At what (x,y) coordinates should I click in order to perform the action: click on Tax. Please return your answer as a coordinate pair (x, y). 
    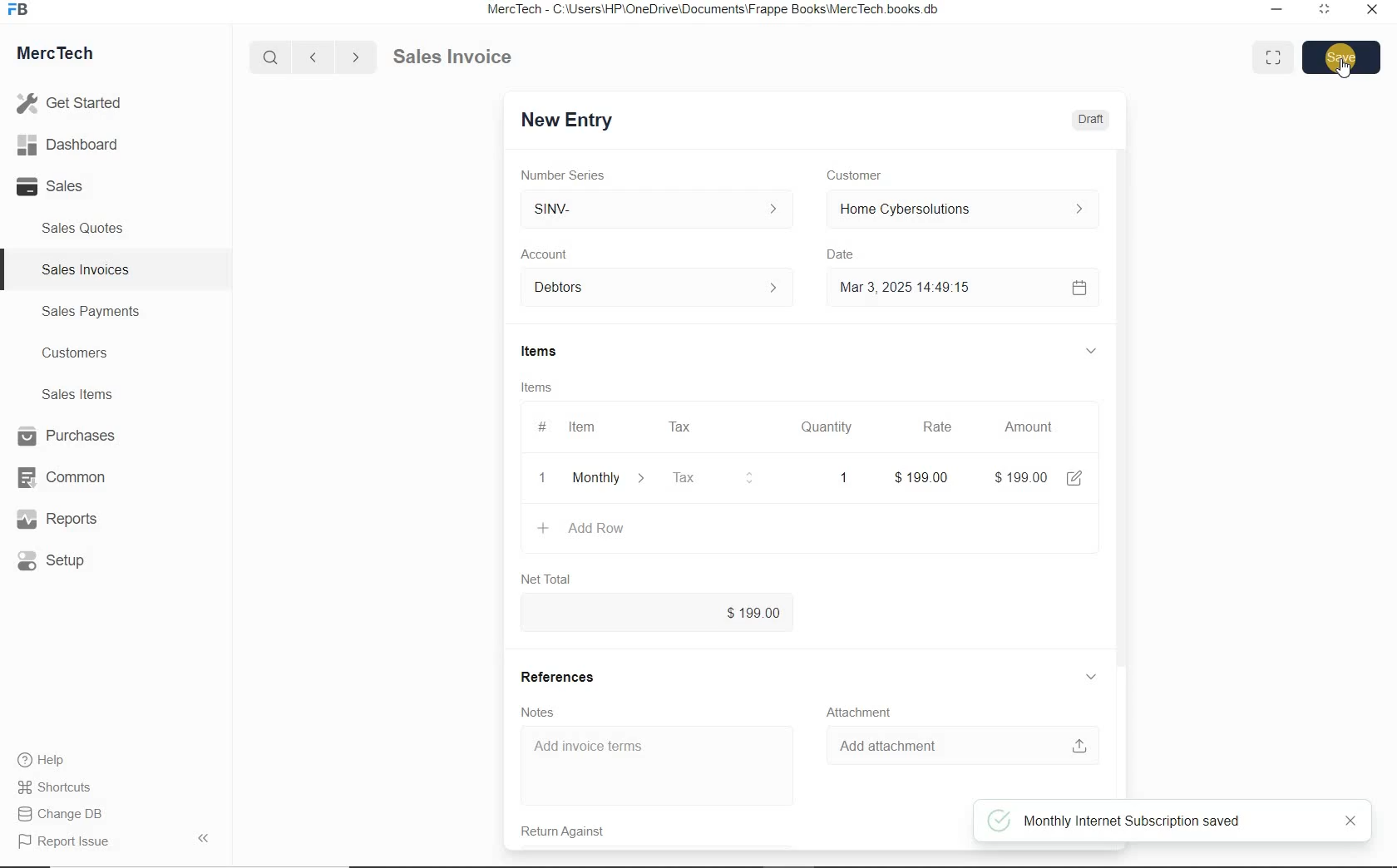
    Looking at the image, I should click on (680, 426).